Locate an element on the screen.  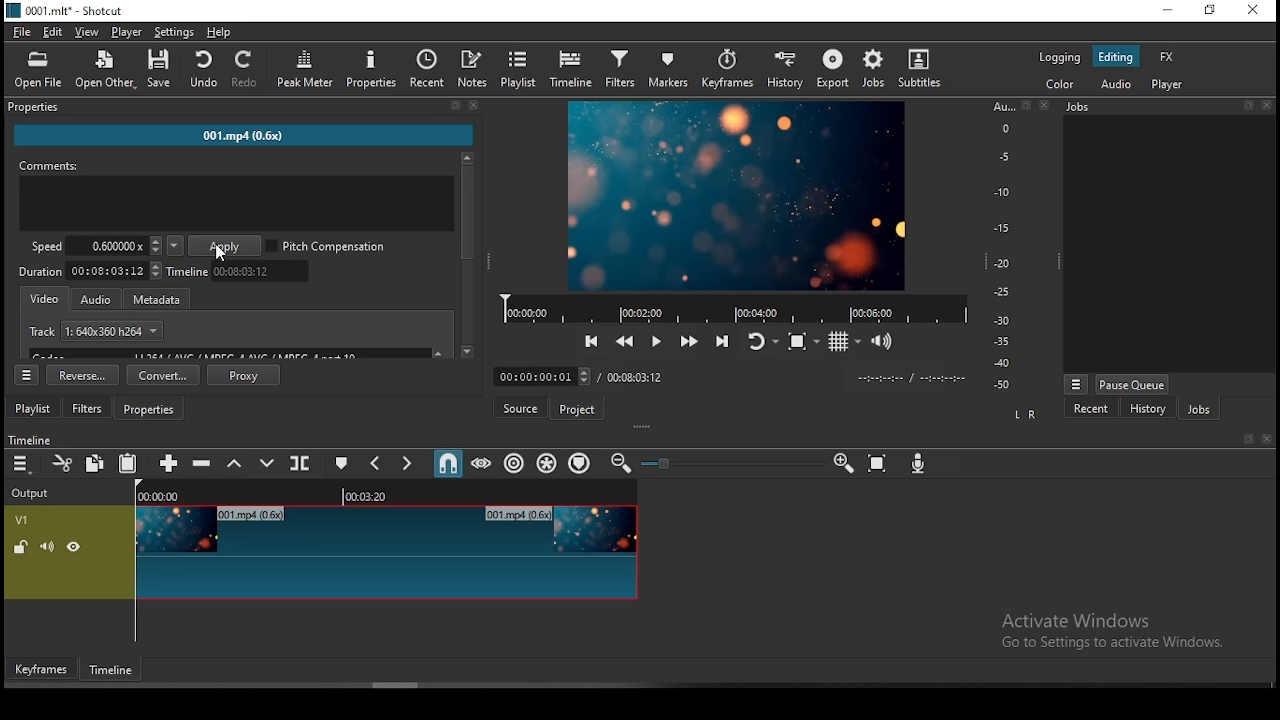
speed is located at coordinates (92, 244).